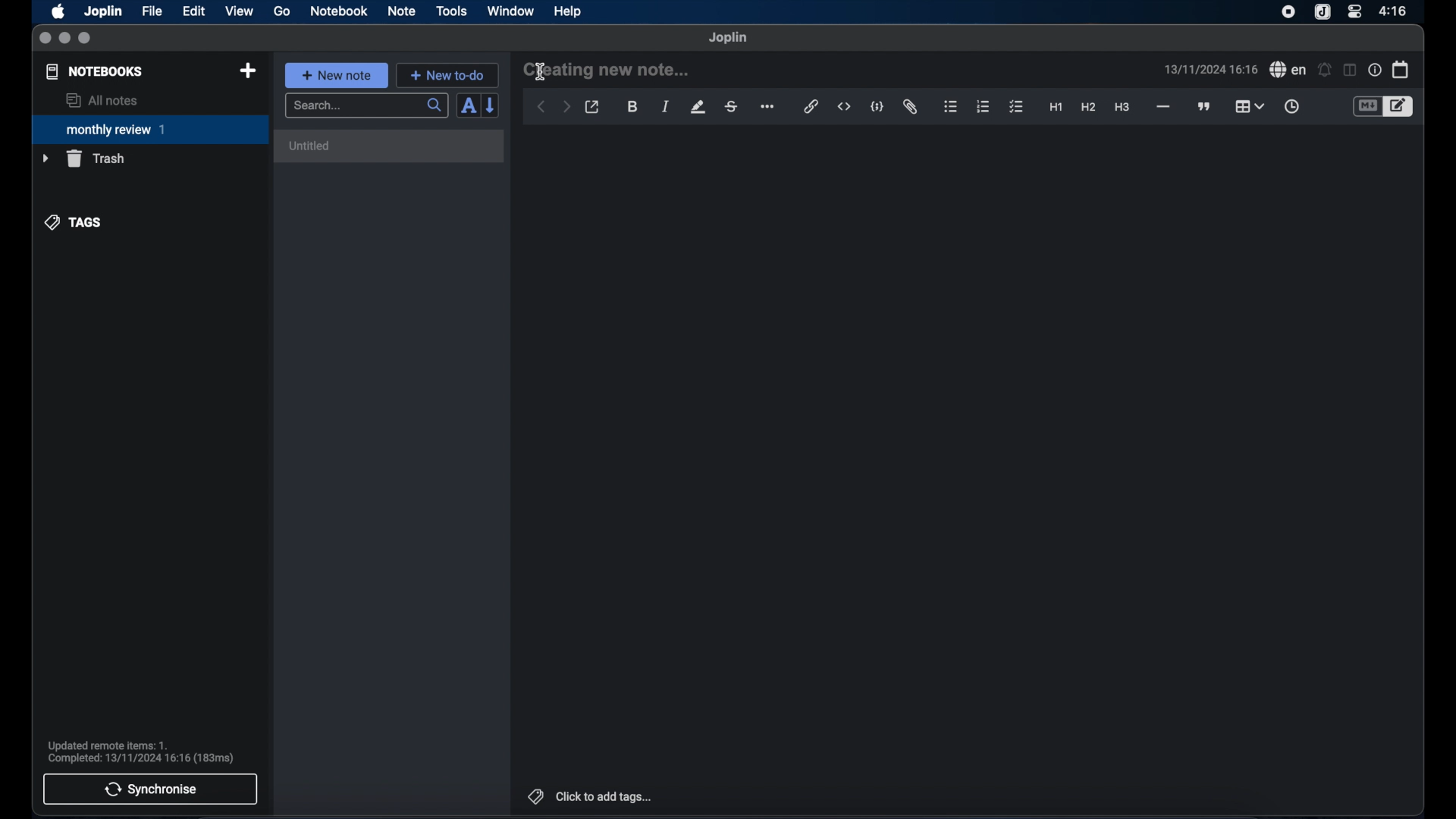 The image size is (1456, 819). What do you see at coordinates (83, 158) in the screenshot?
I see `trash` at bounding box center [83, 158].